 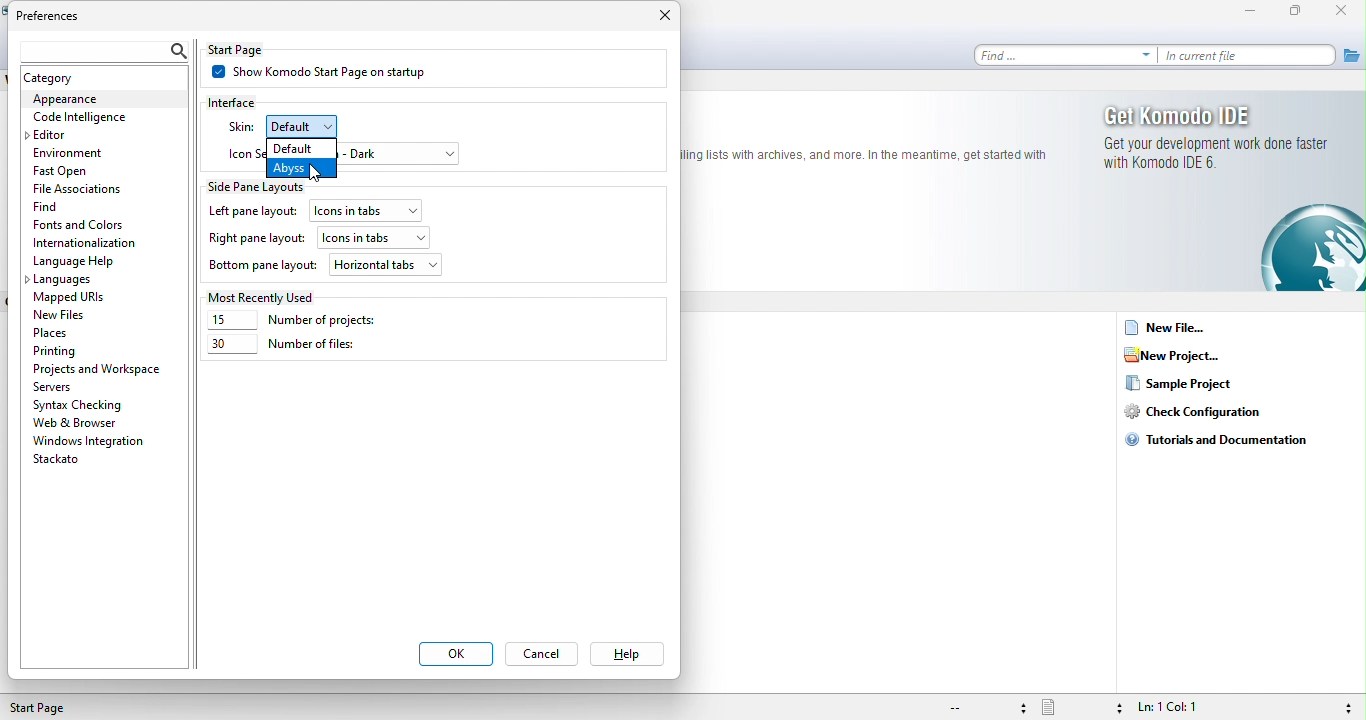 What do you see at coordinates (1310, 250) in the screenshot?
I see `logo` at bounding box center [1310, 250].